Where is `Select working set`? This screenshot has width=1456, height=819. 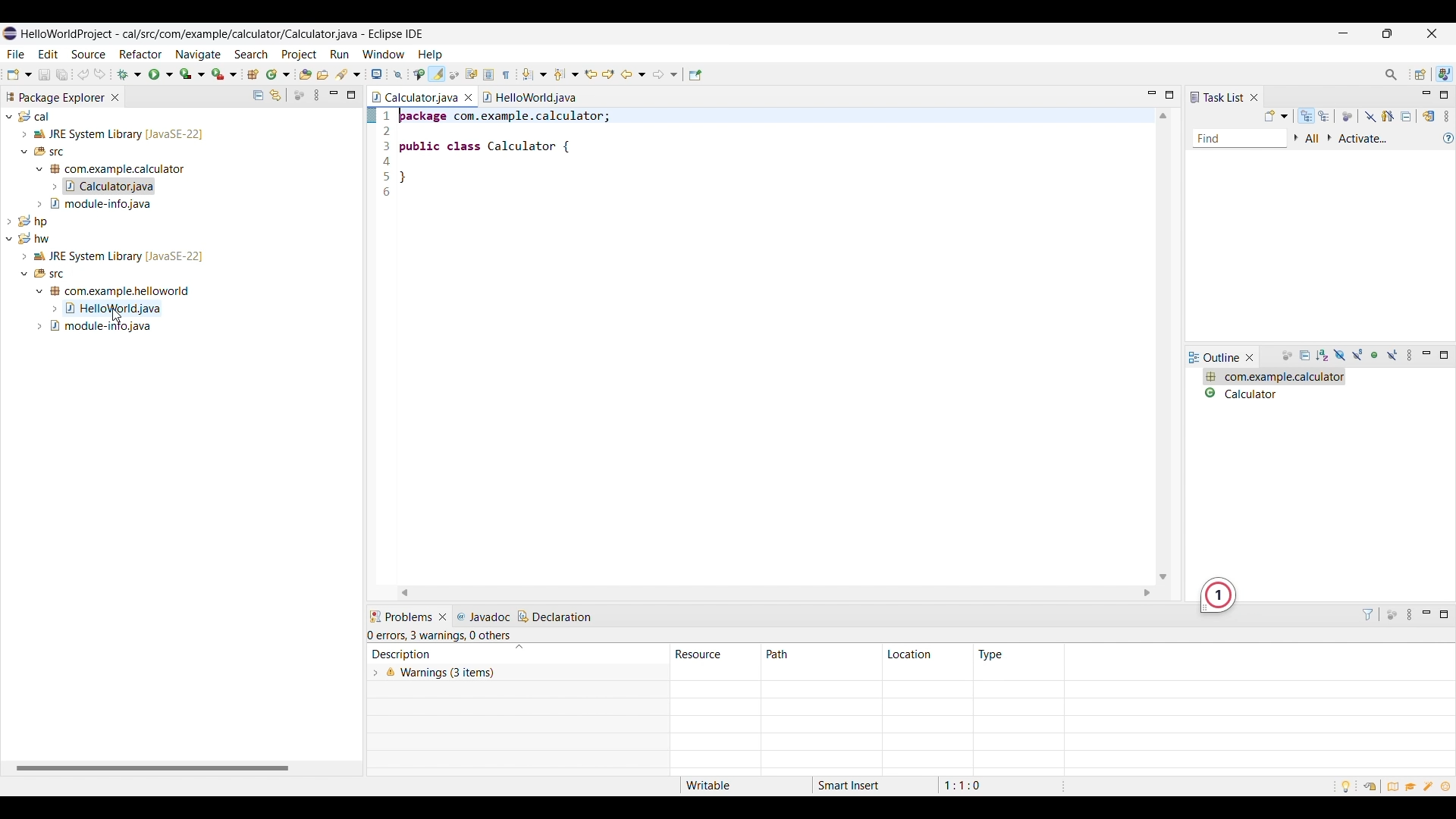
Select working set is located at coordinates (1296, 138).